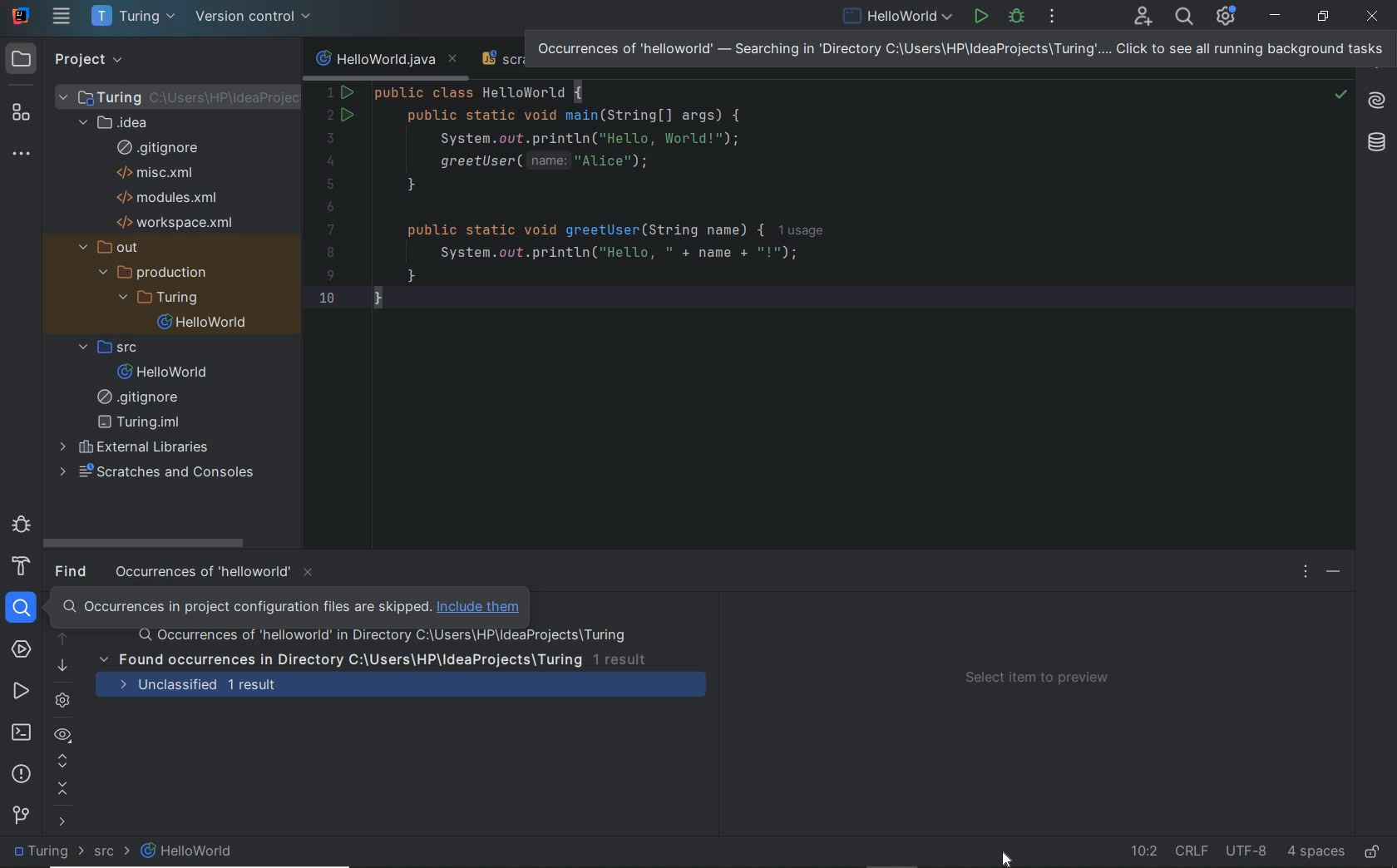  I want to click on idea, so click(119, 121).